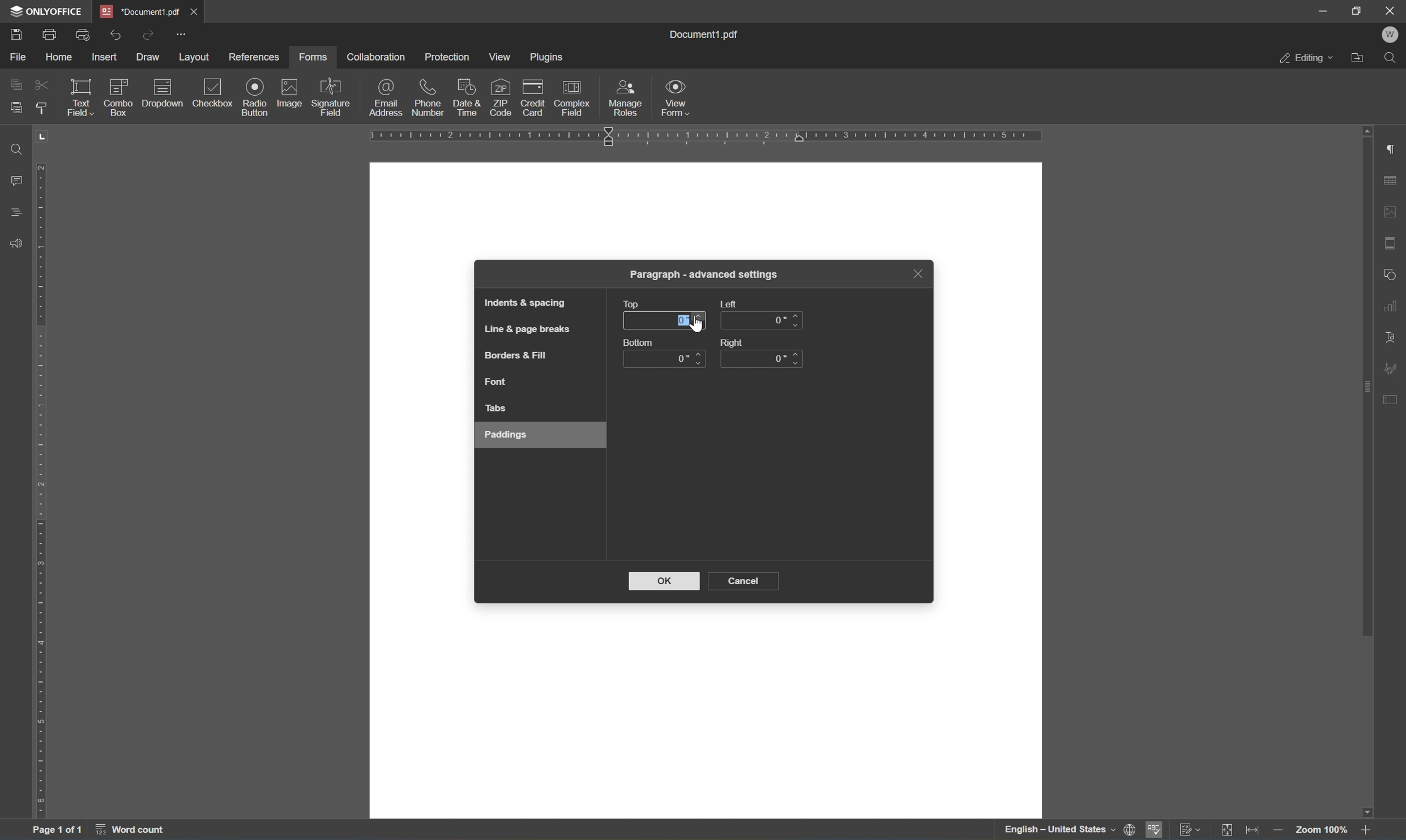  Describe the element at coordinates (1392, 338) in the screenshot. I see `text art settings` at that location.